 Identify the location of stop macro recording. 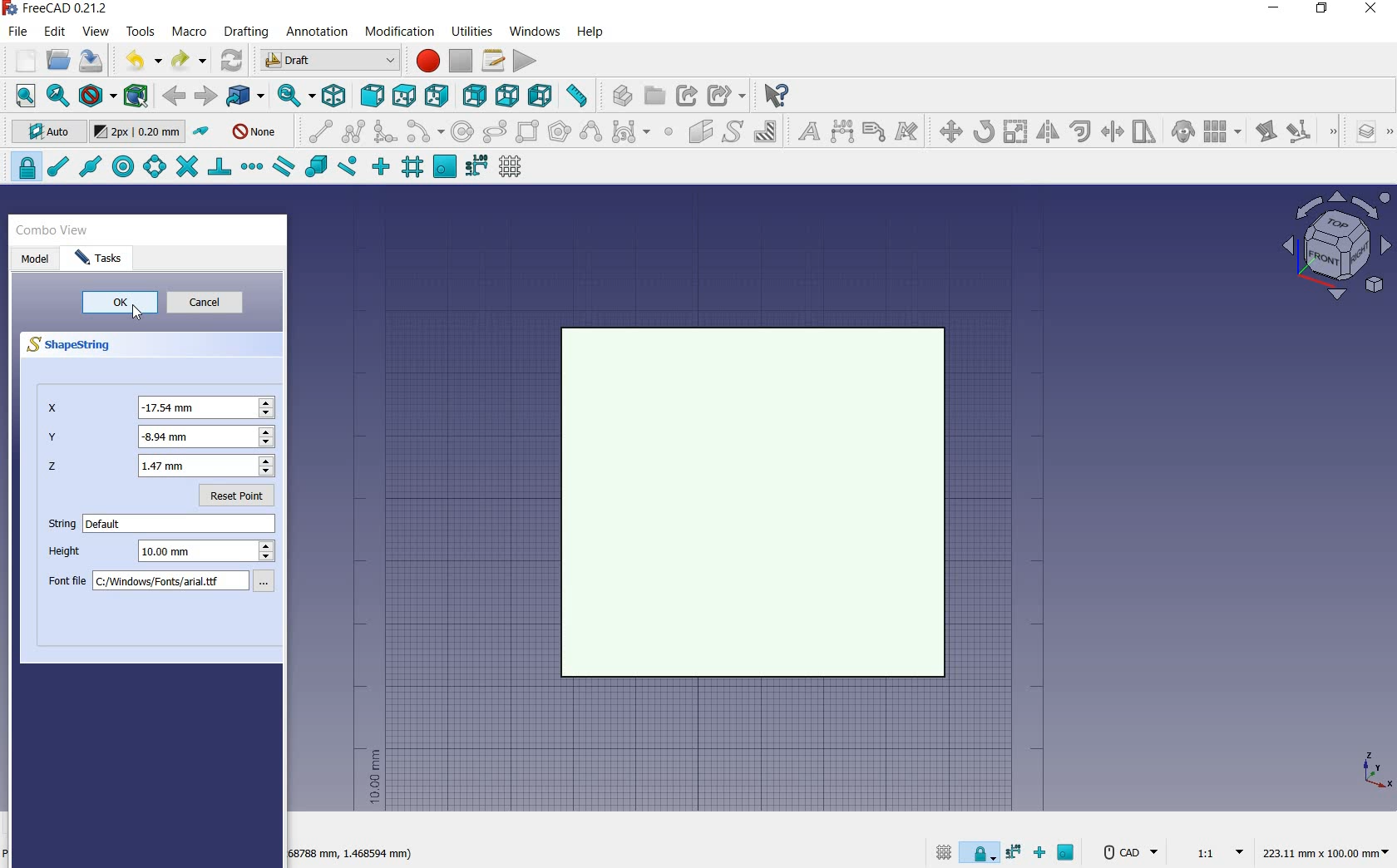
(462, 61).